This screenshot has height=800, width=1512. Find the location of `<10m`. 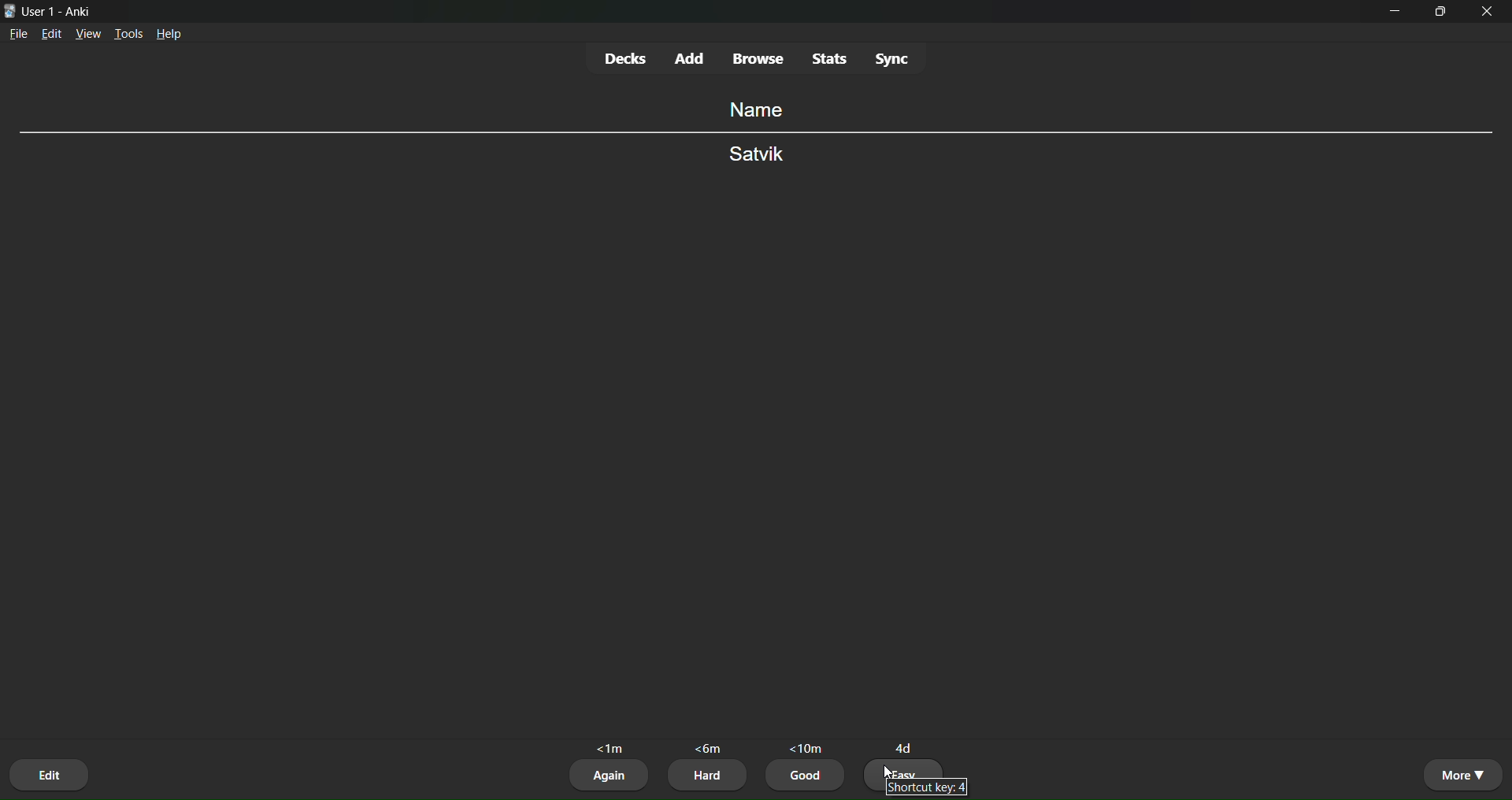

<10m is located at coordinates (806, 744).